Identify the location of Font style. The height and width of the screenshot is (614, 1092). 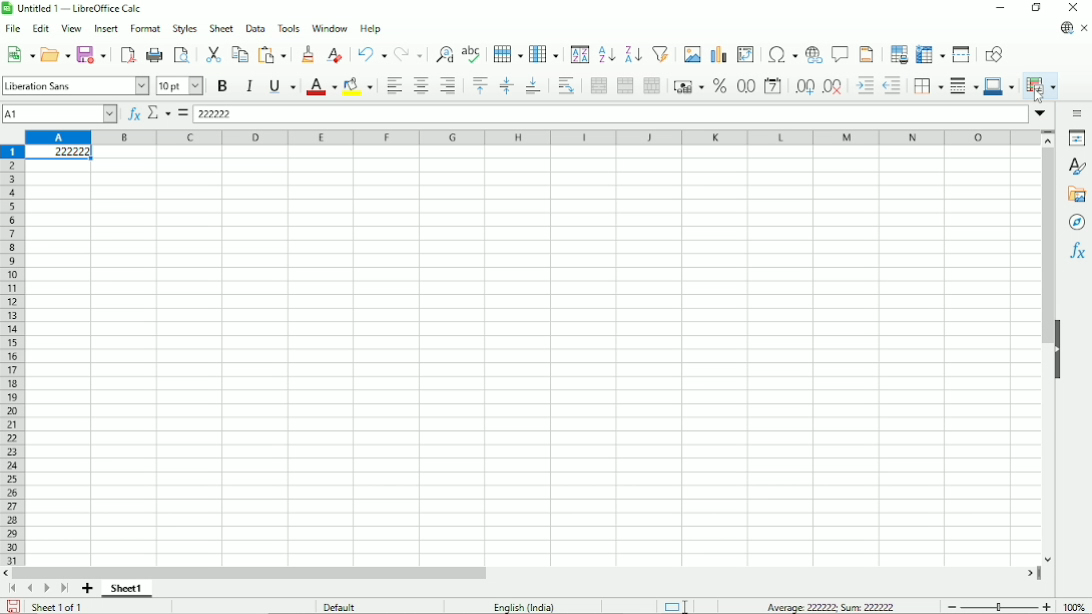
(75, 86).